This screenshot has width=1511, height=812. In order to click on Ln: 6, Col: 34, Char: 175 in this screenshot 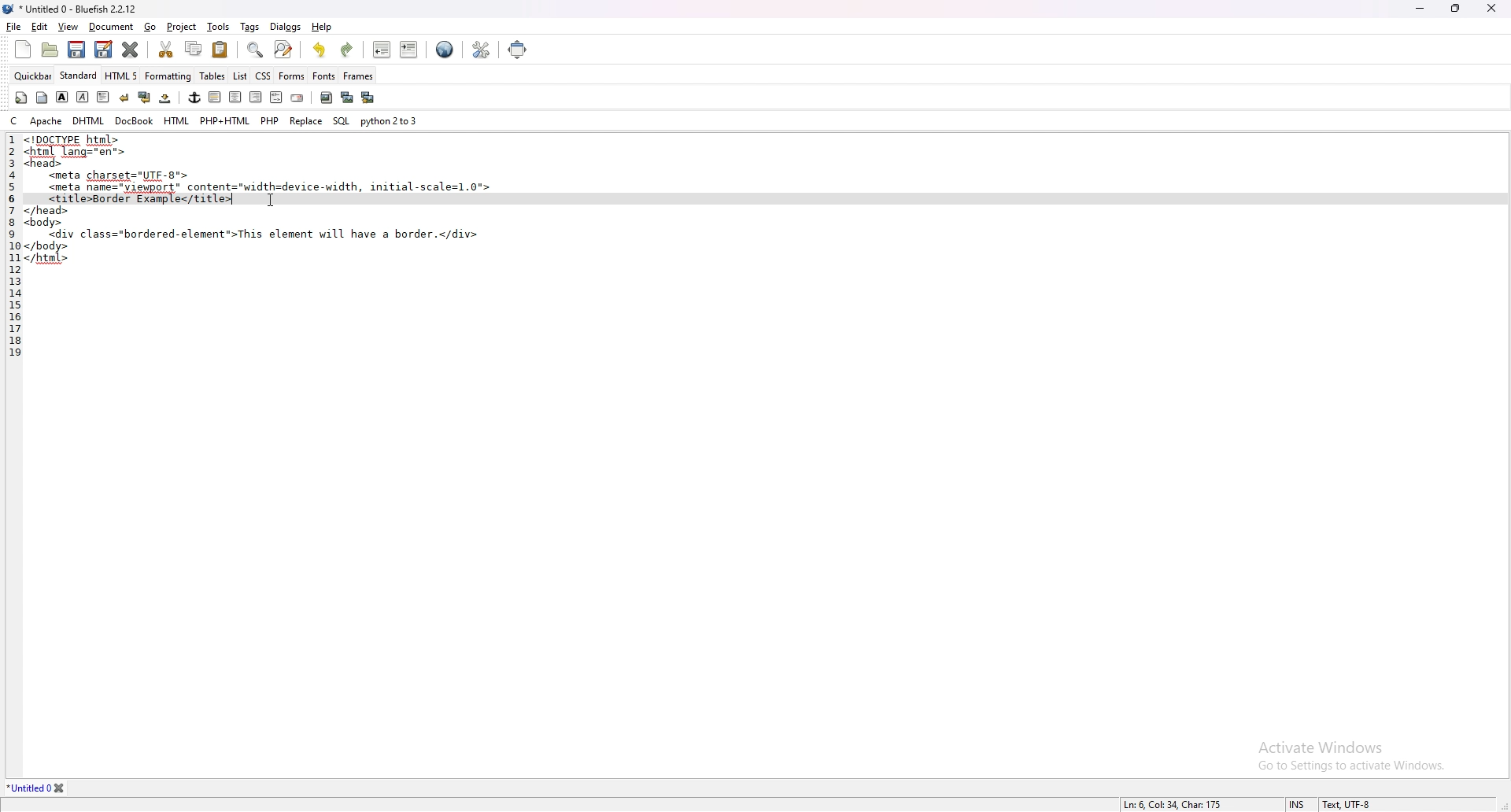, I will do `click(1173, 803)`.